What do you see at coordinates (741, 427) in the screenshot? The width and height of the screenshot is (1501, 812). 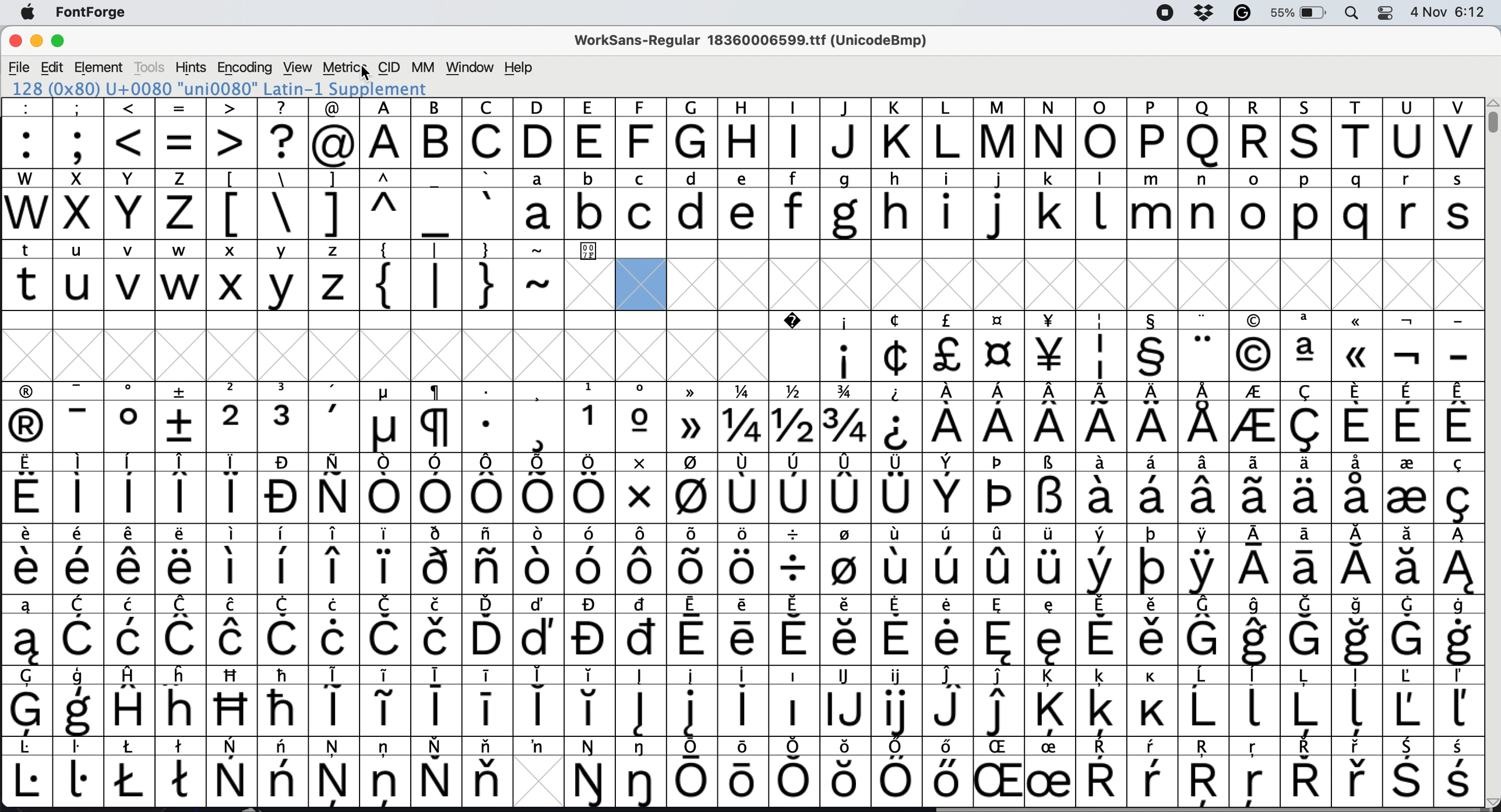 I see `special characters` at bounding box center [741, 427].